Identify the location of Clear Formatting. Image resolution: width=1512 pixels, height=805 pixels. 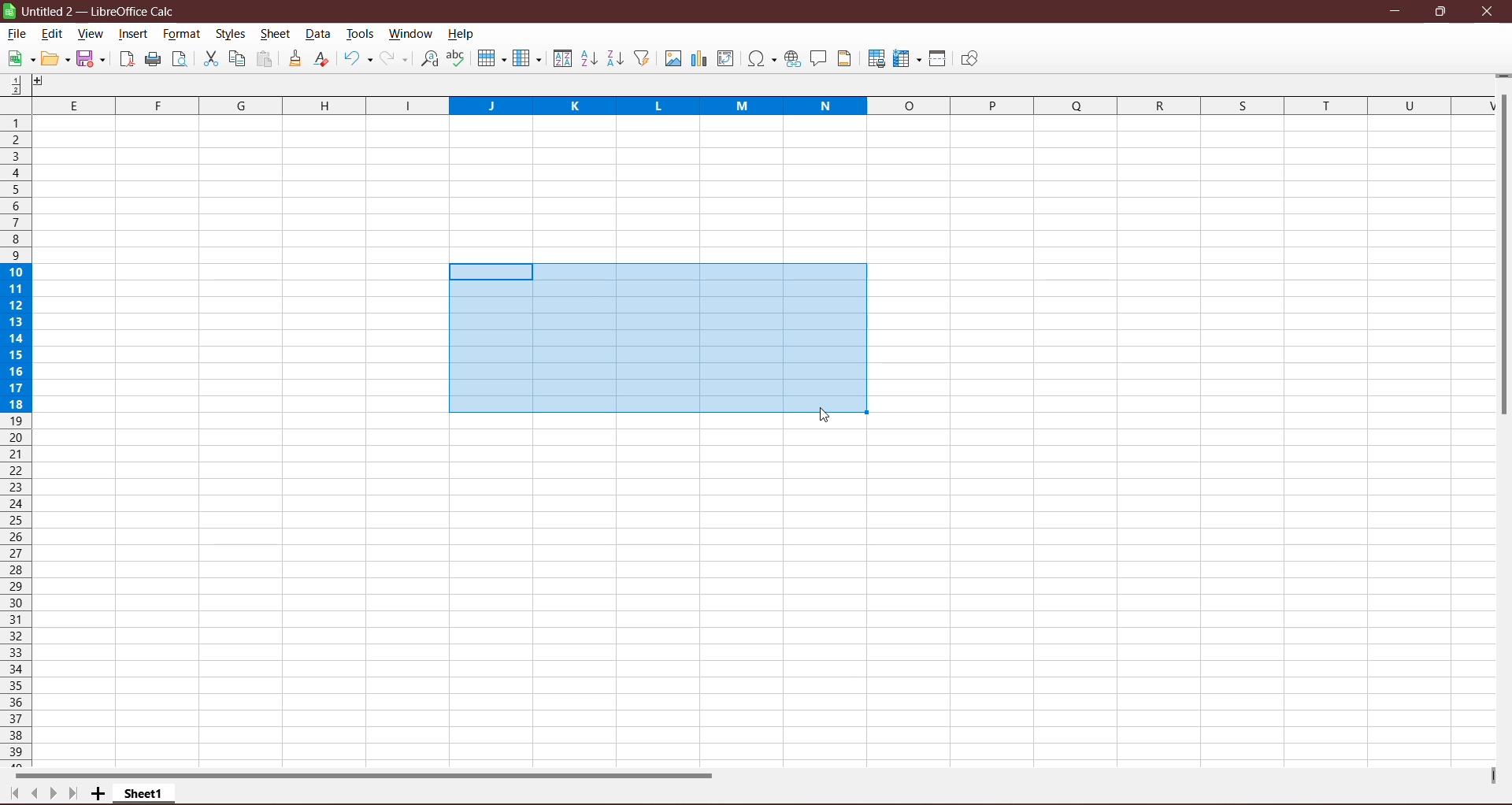
(323, 59).